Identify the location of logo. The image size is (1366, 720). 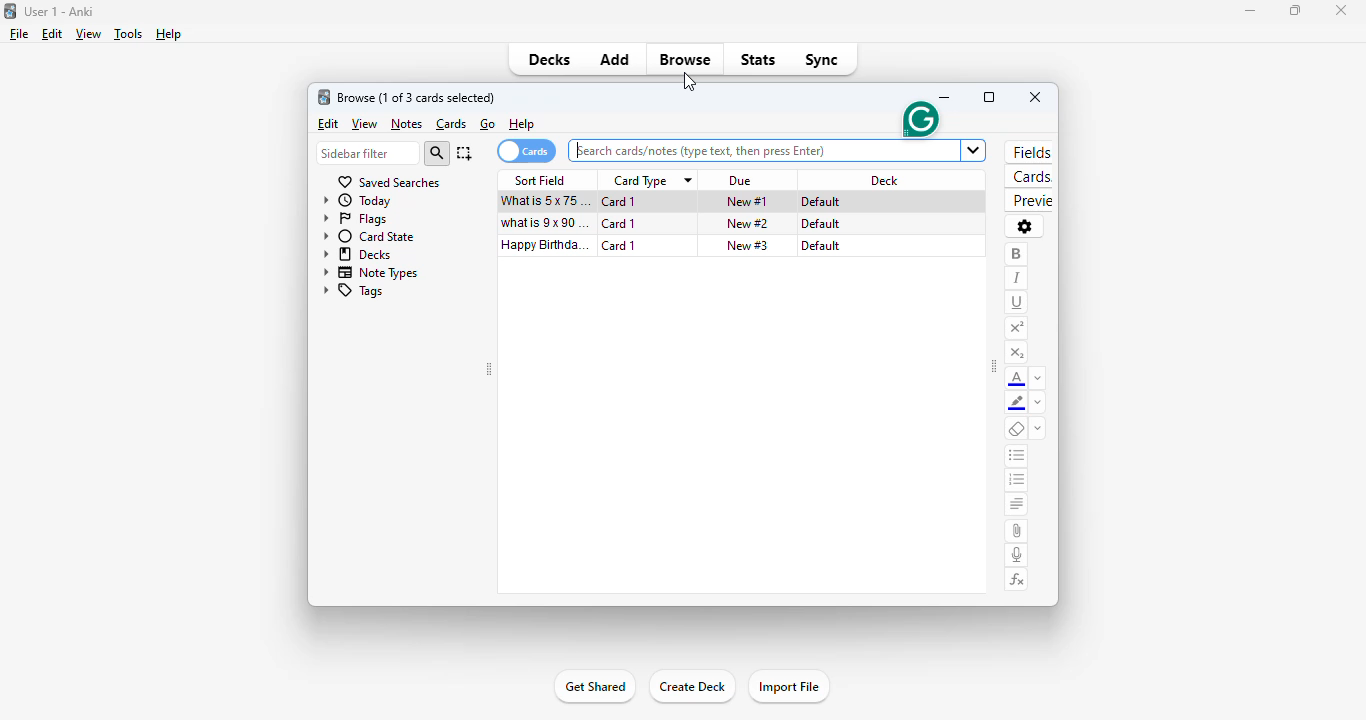
(324, 96).